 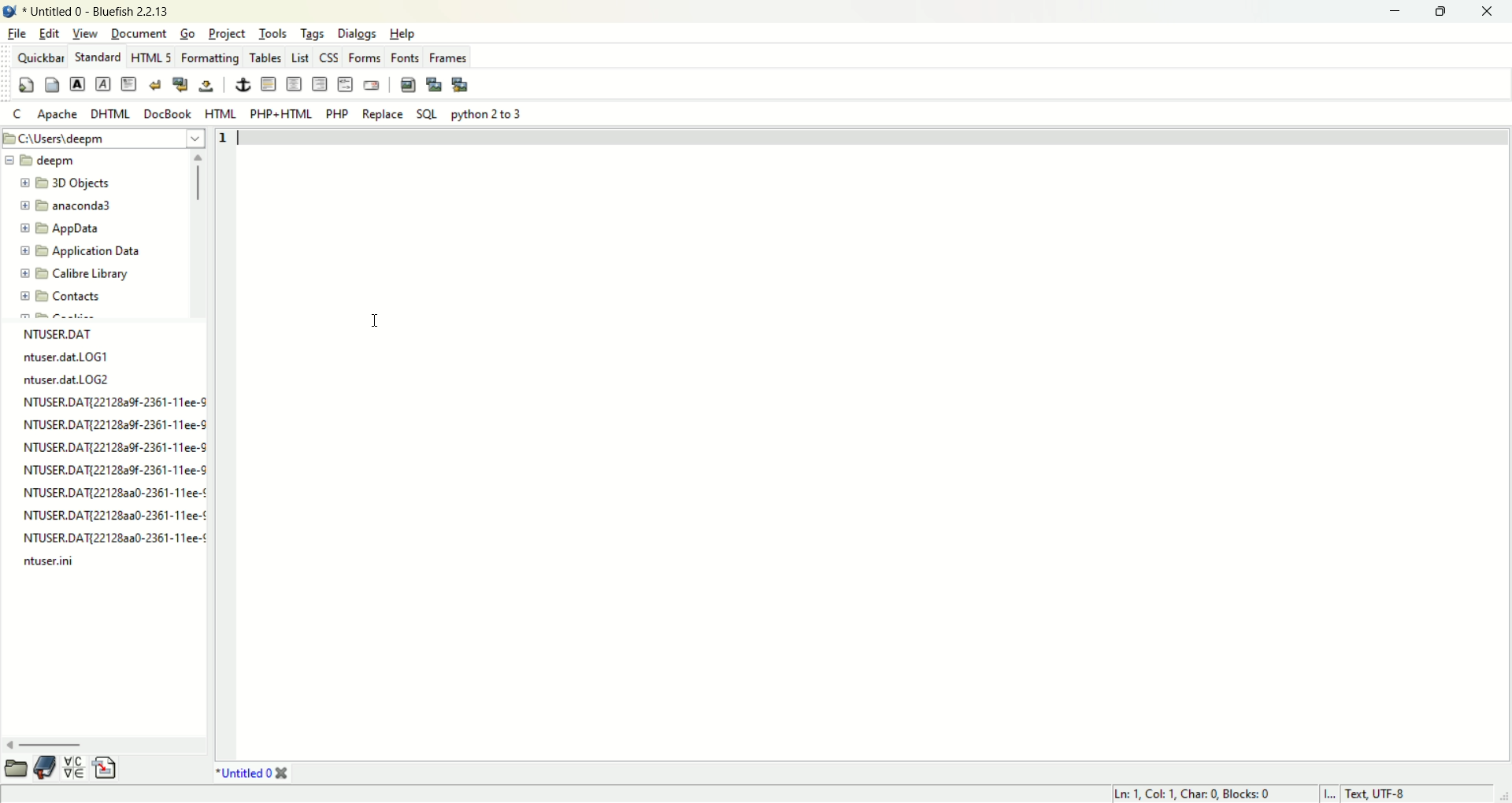 What do you see at coordinates (154, 87) in the screenshot?
I see `break` at bounding box center [154, 87].